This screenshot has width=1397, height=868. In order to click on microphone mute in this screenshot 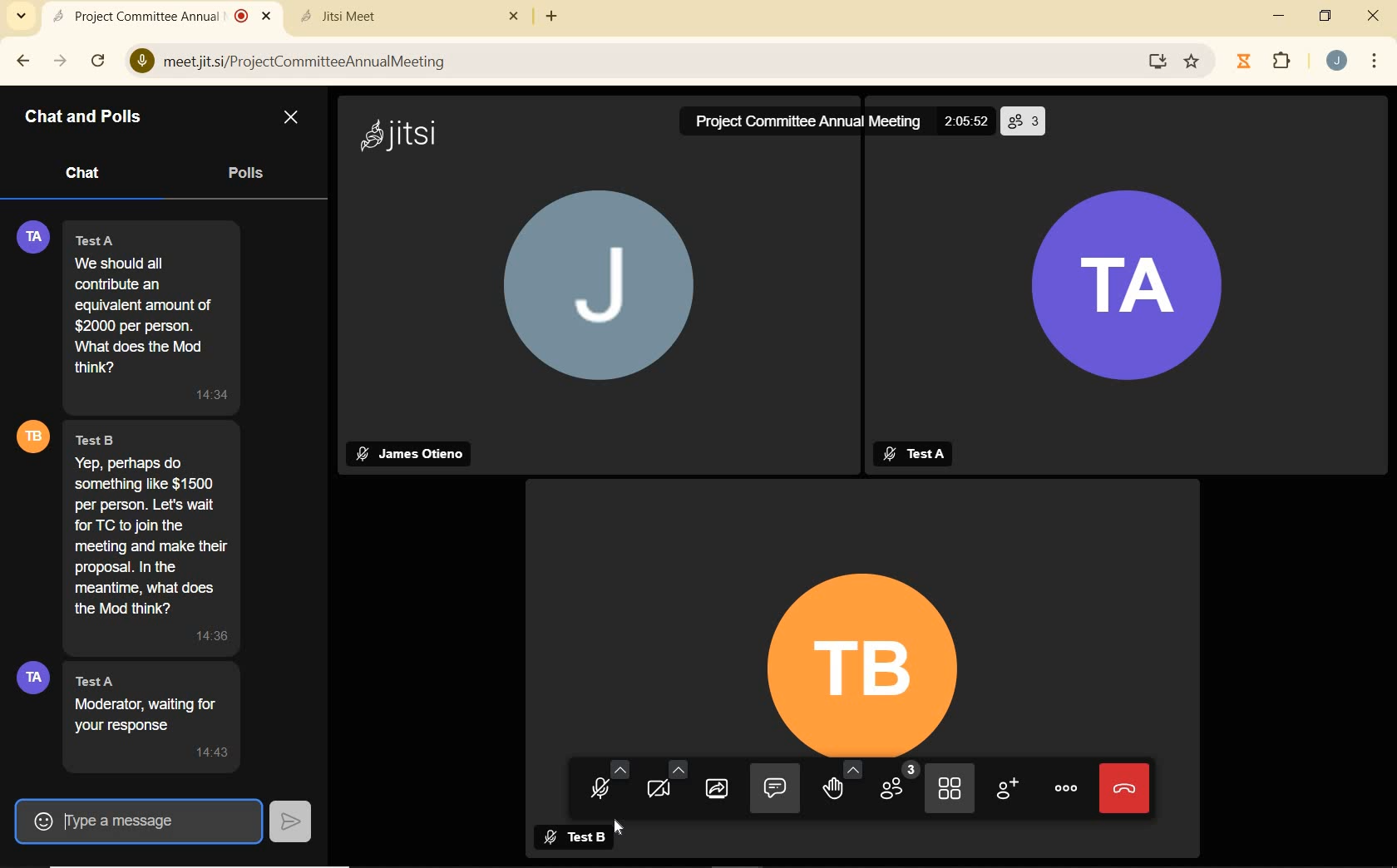, I will do `click(607, 782)`.